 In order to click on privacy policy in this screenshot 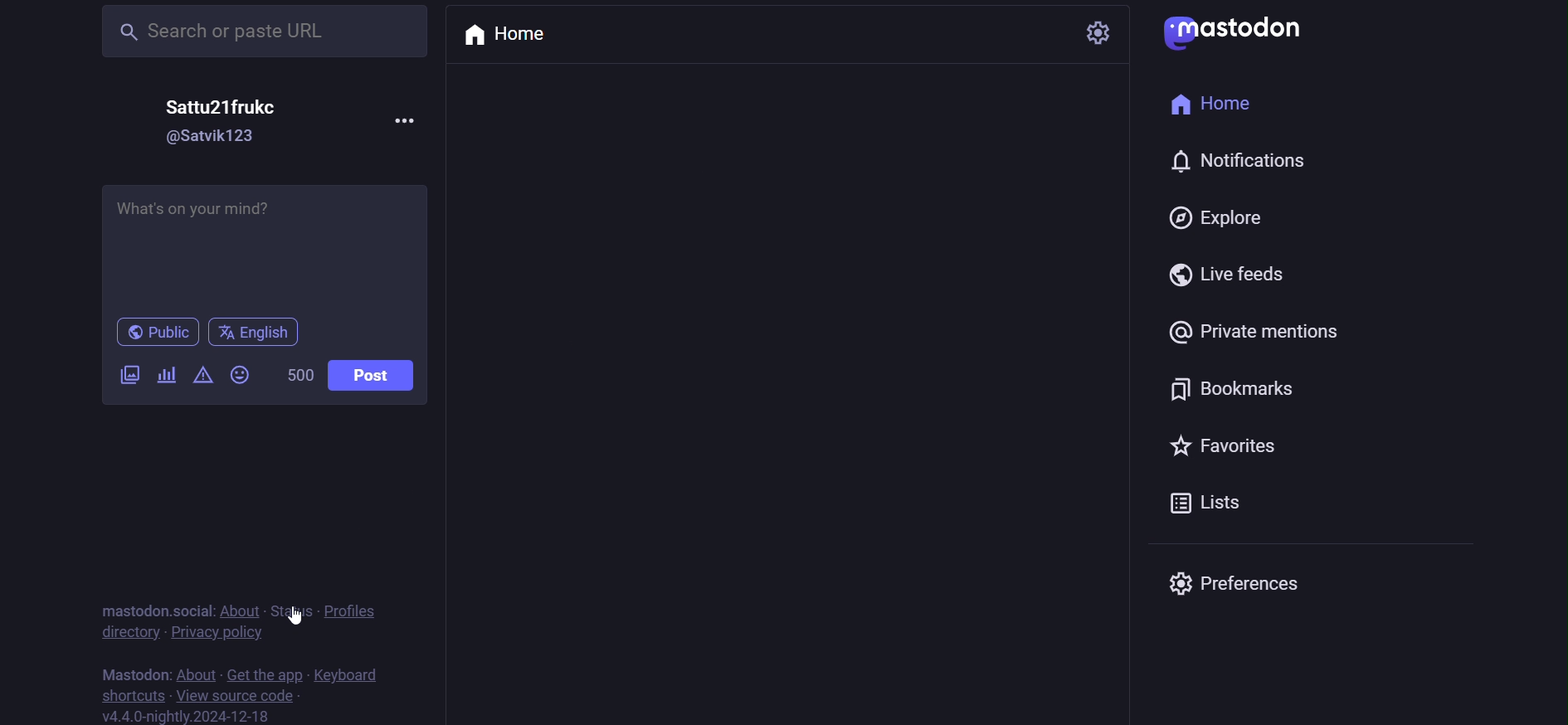, I will do `click(218, 633)`.